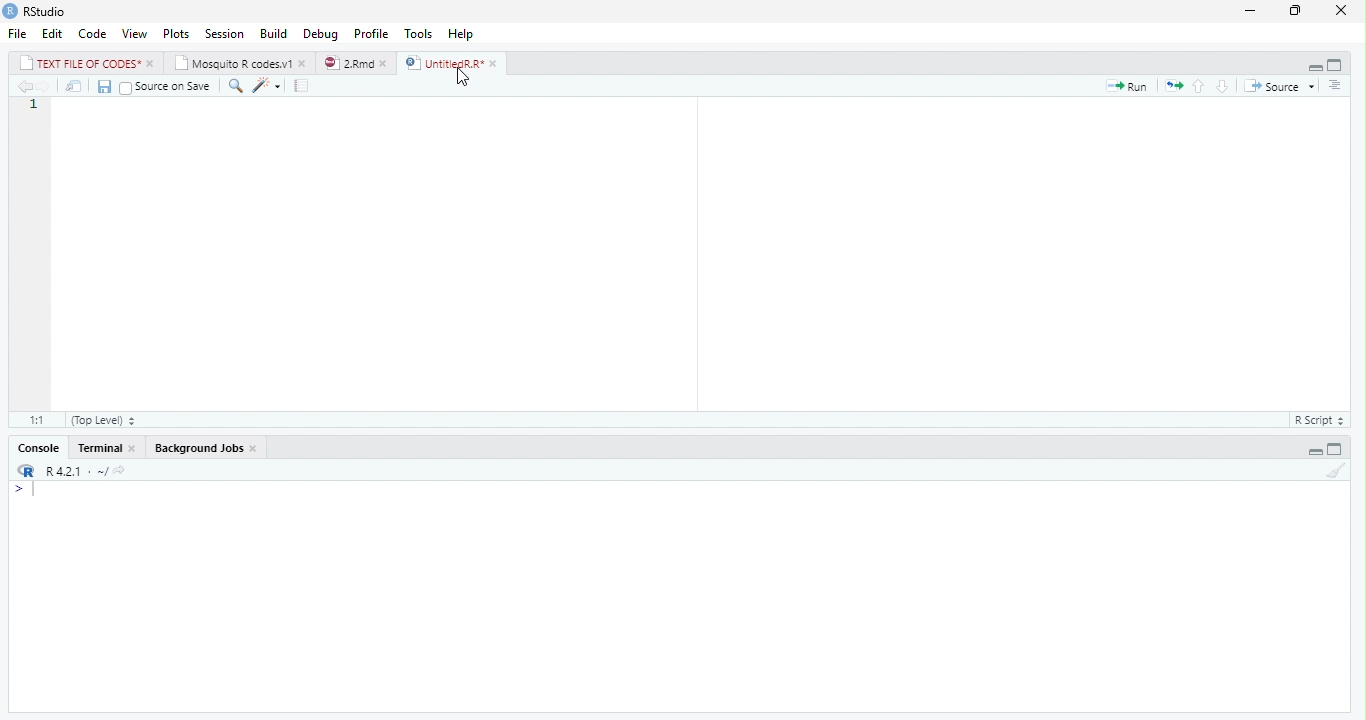 Image resolution: width=1366 pixels, height=720 pixels. Describe the element at coordinates (19, 33) in the screenshot. I see `File` at that location.